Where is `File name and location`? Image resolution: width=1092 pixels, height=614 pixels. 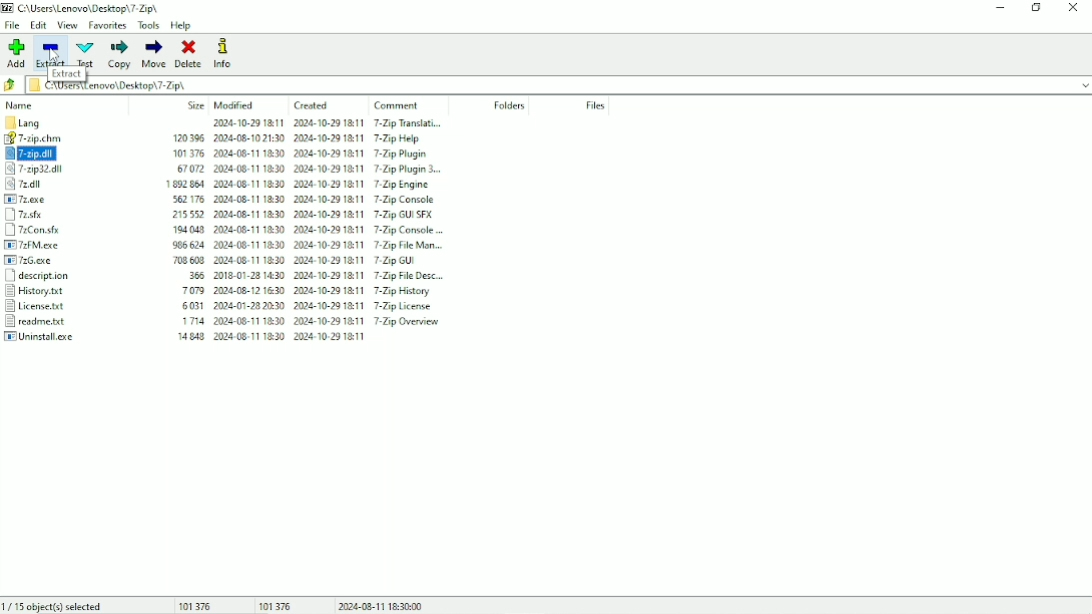 File name and location is located at coordinates (558, 85).